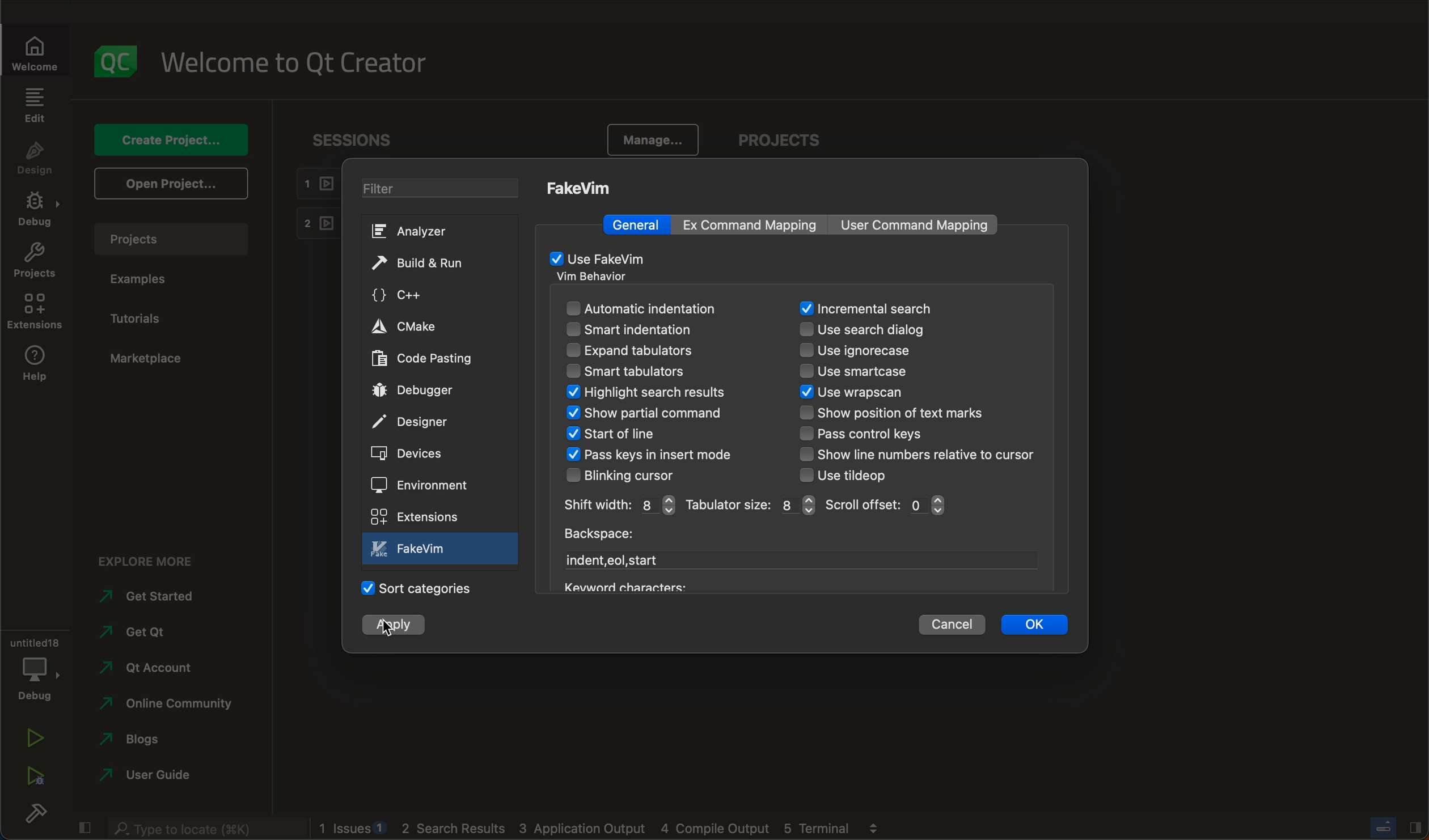 This screenshot has height=840, width=1429. What do you see at coordinates (646, 414) in the screenshot?
I see `show command` at bounding box center [646, 414].